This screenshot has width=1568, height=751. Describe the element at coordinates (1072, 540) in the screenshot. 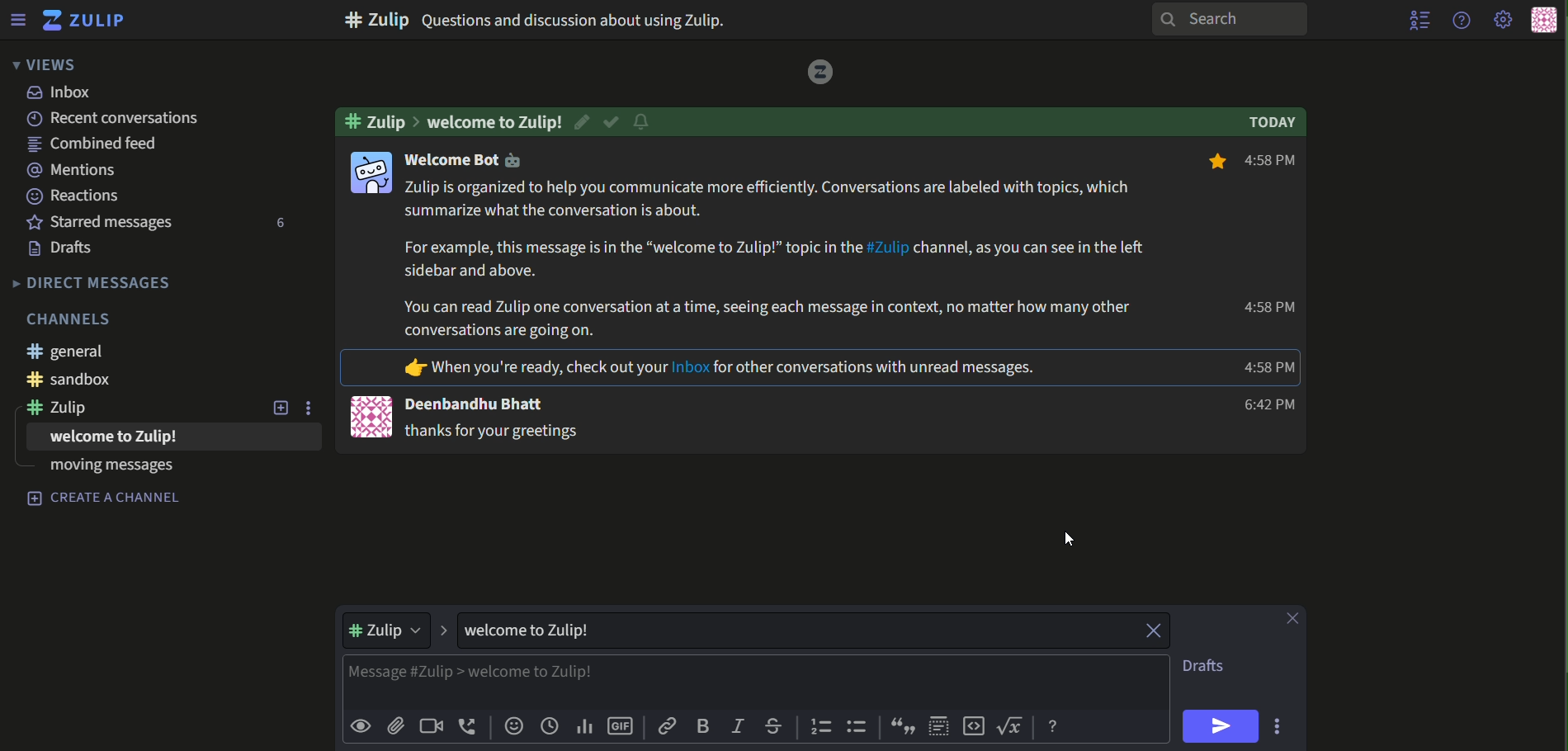

I see `cursor` at that location.